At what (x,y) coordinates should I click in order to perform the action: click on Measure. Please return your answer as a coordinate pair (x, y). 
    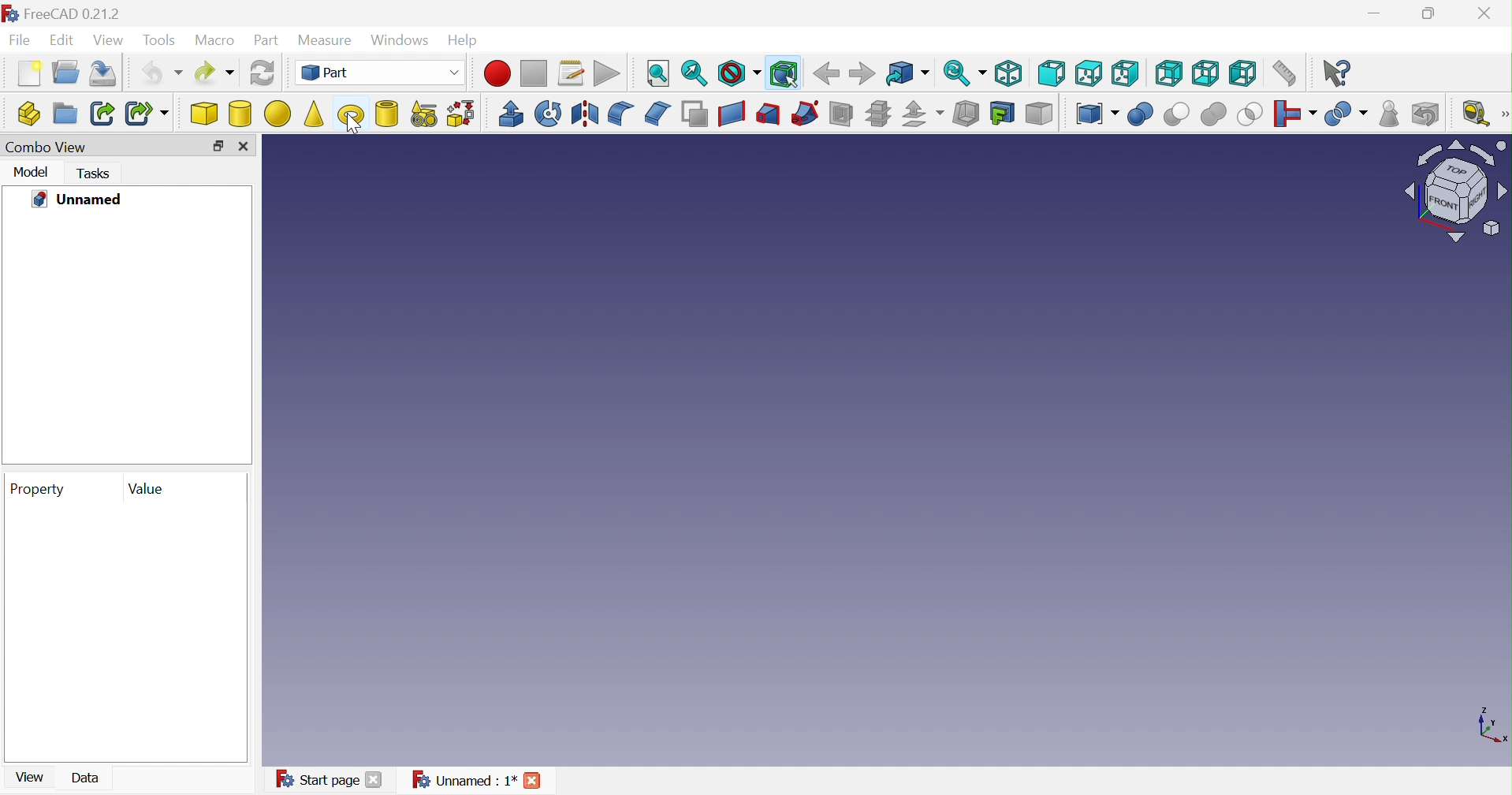
    Looking at the image, I should click on (326, 42).